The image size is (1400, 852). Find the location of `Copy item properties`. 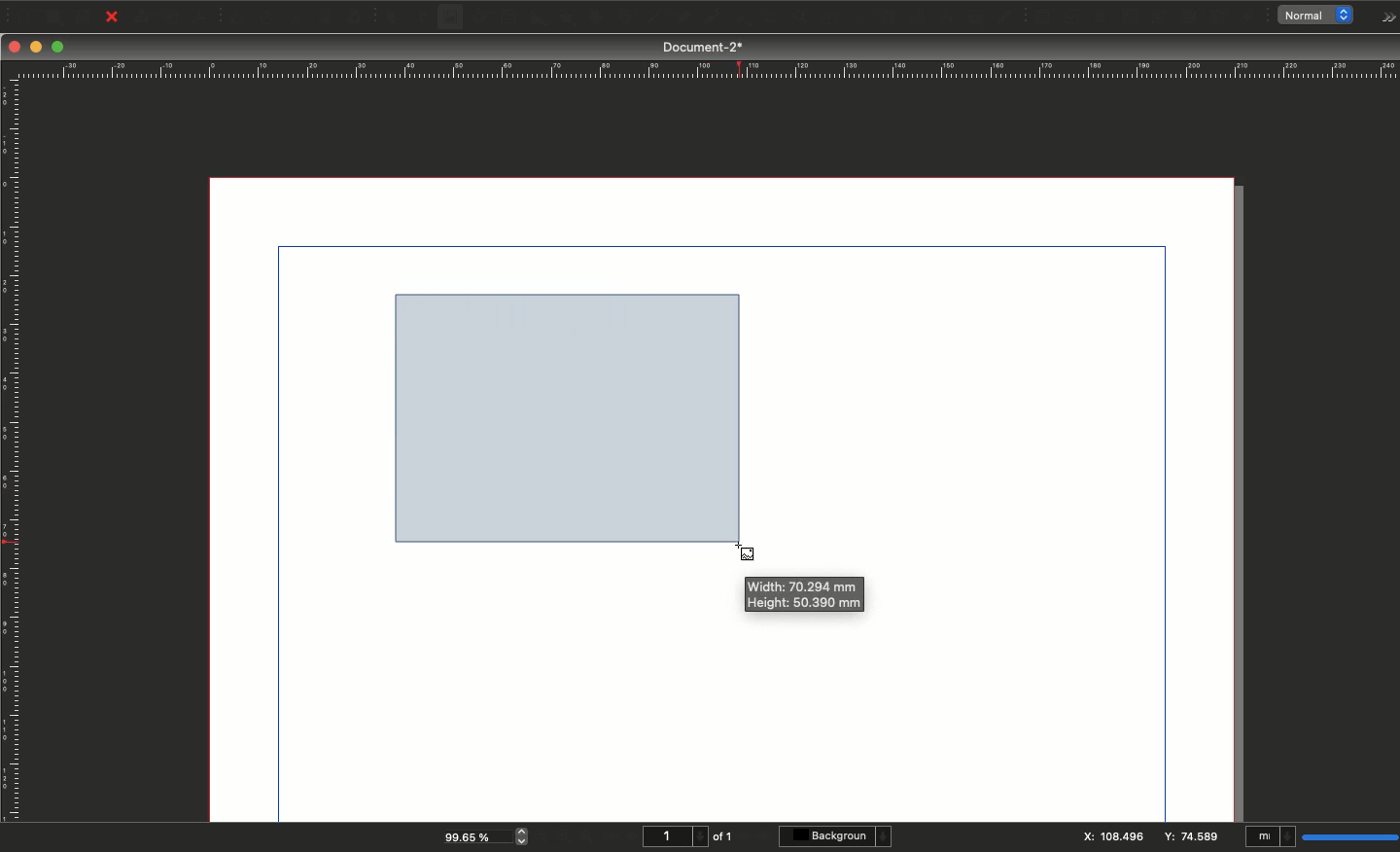

Copy item properties is located at coordinates (972, 18).